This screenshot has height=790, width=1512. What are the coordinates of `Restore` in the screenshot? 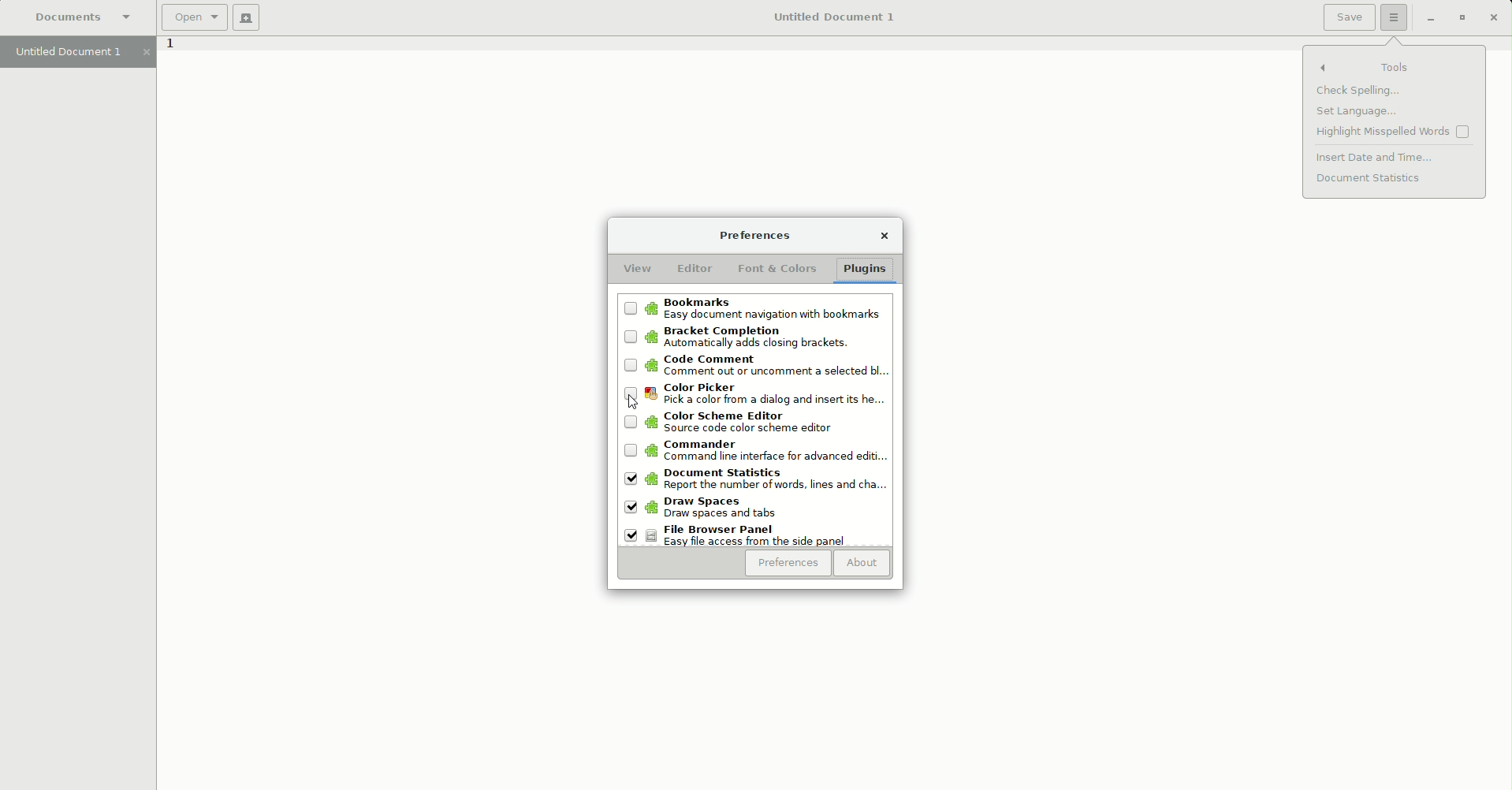 It's located at (1426, 20).